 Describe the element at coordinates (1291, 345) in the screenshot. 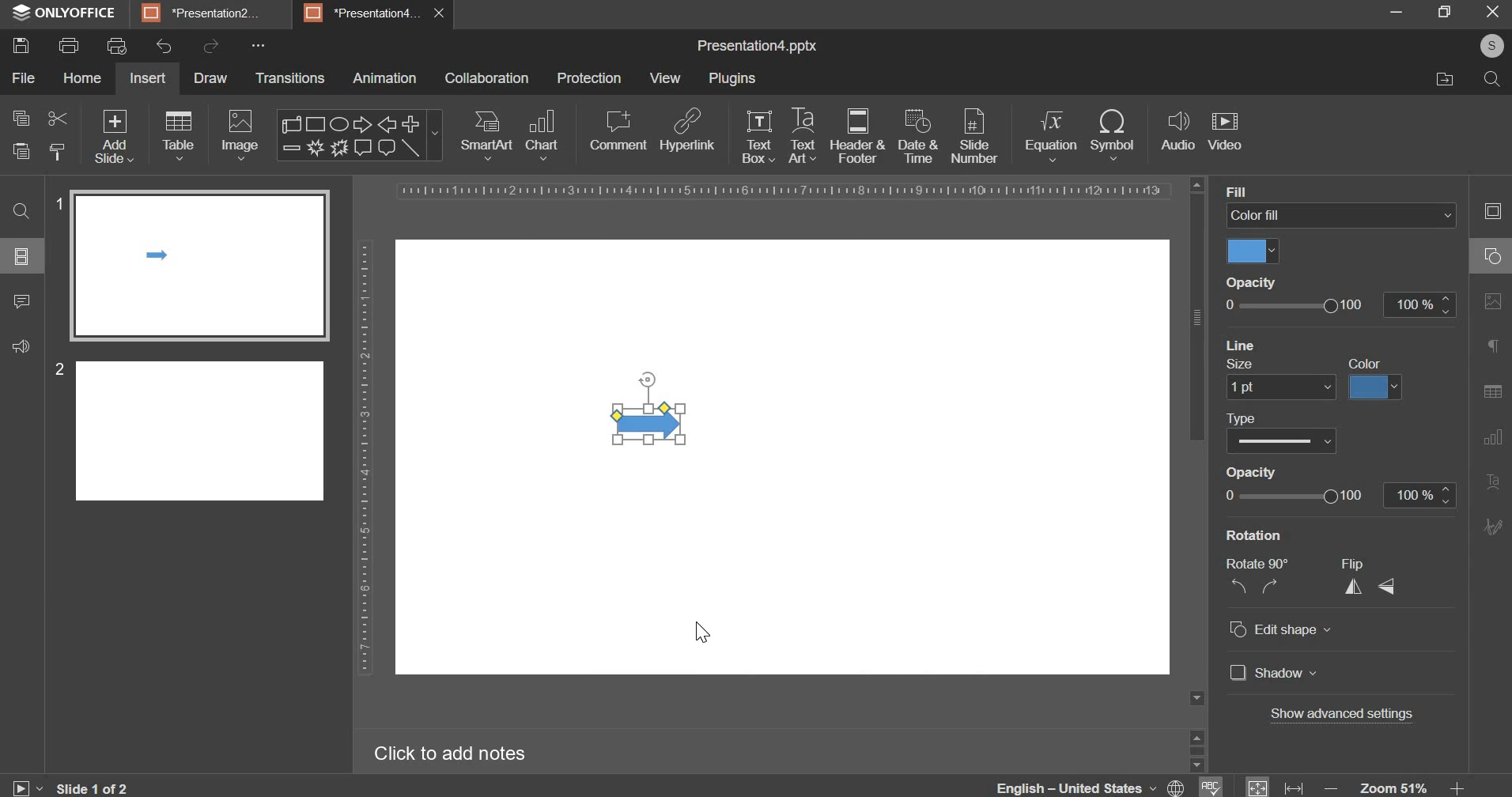

I see `` at that location.